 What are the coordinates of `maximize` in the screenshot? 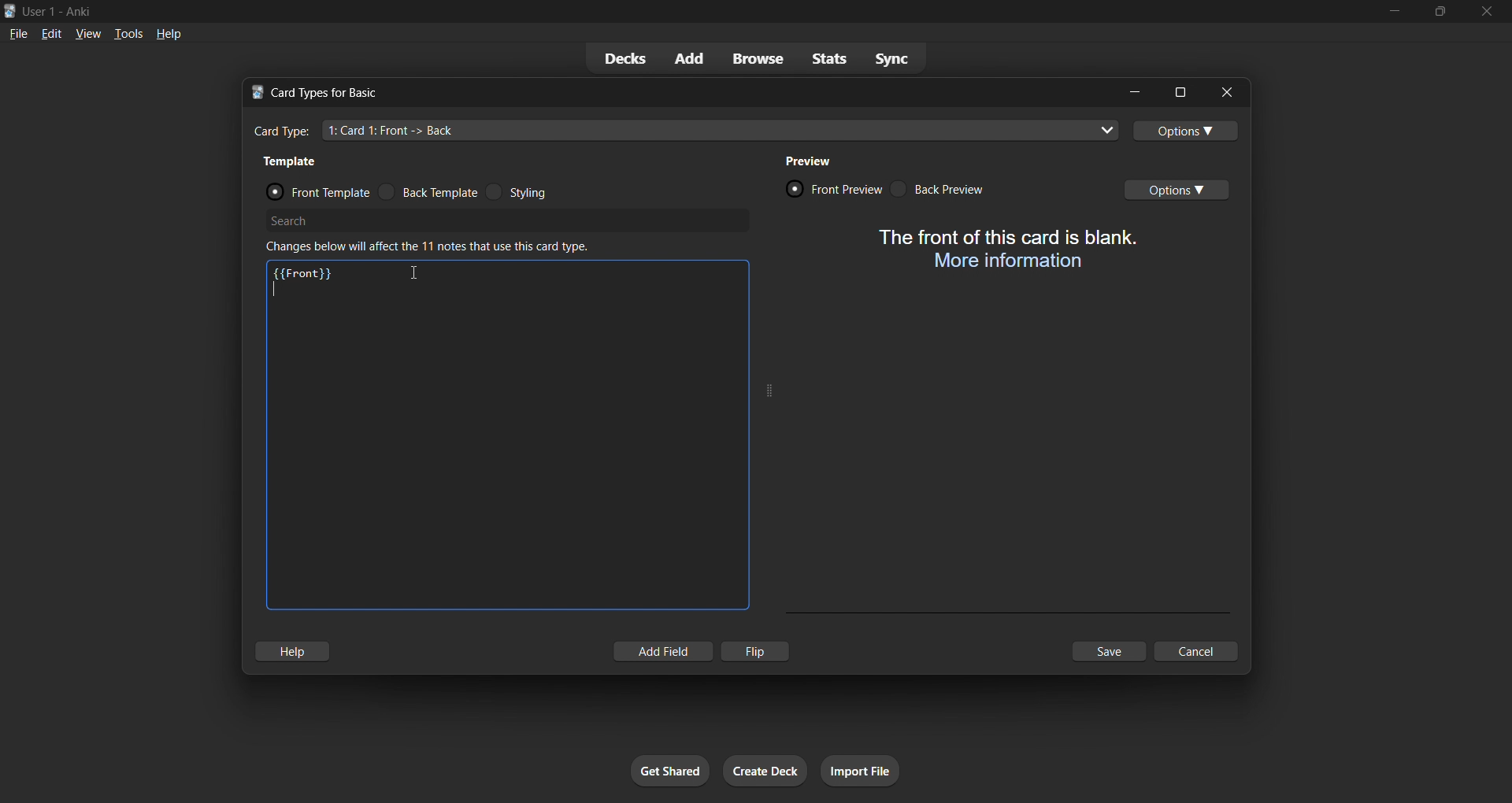 It's located at (1177, 91).